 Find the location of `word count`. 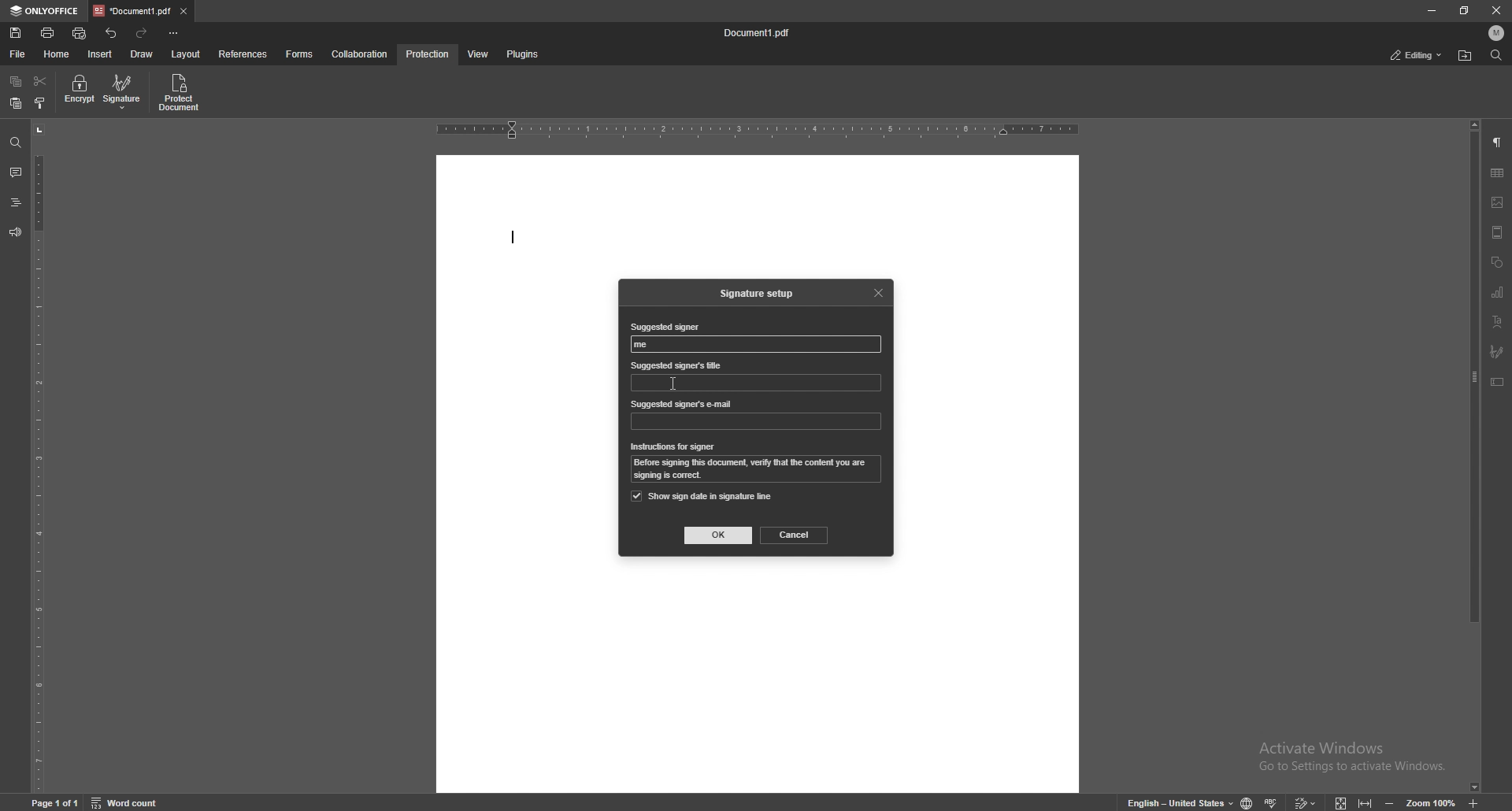

word count is located at coordinates (135, 802).